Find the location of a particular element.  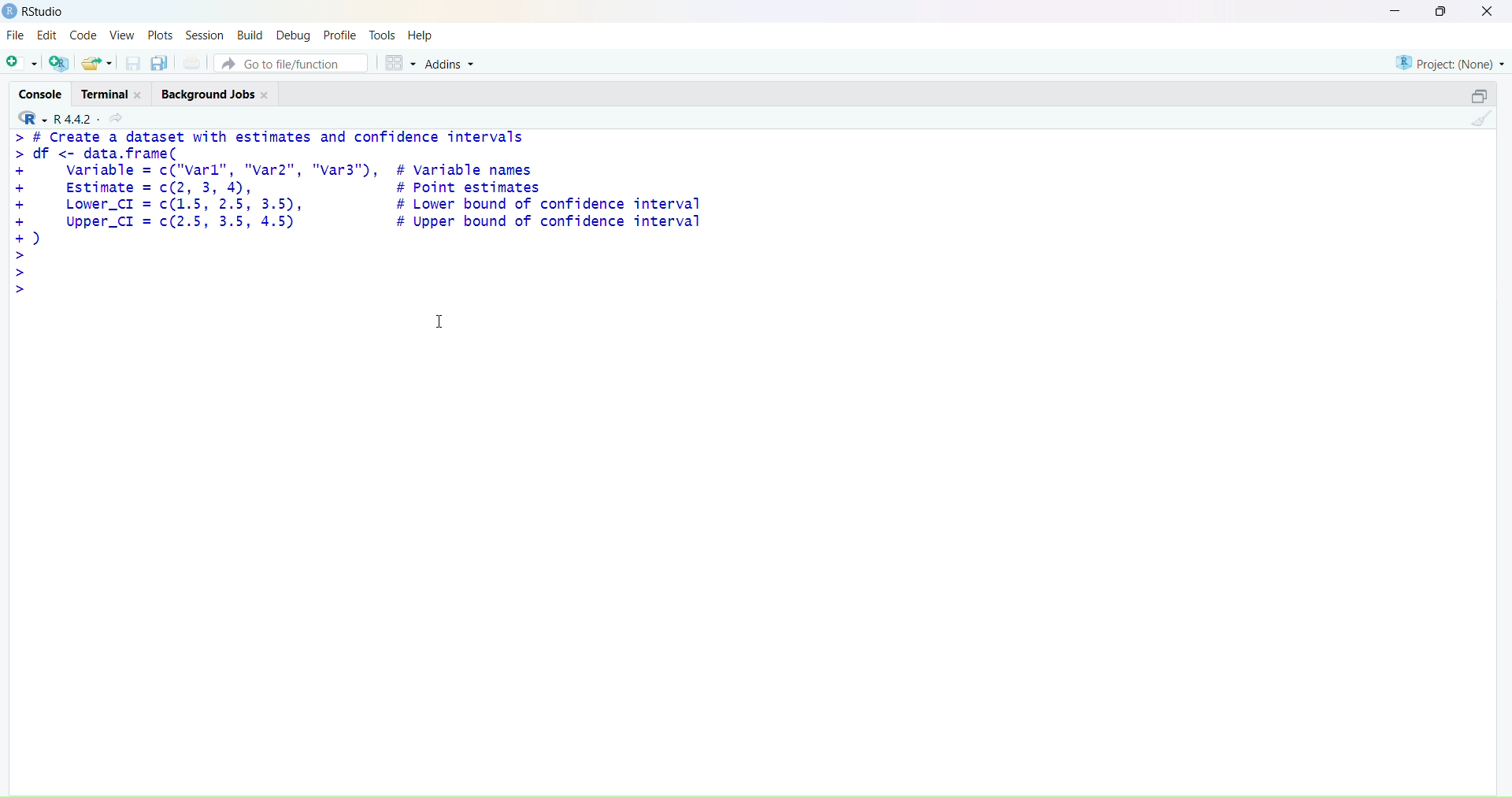

Build is located at coordinates (250, 35).